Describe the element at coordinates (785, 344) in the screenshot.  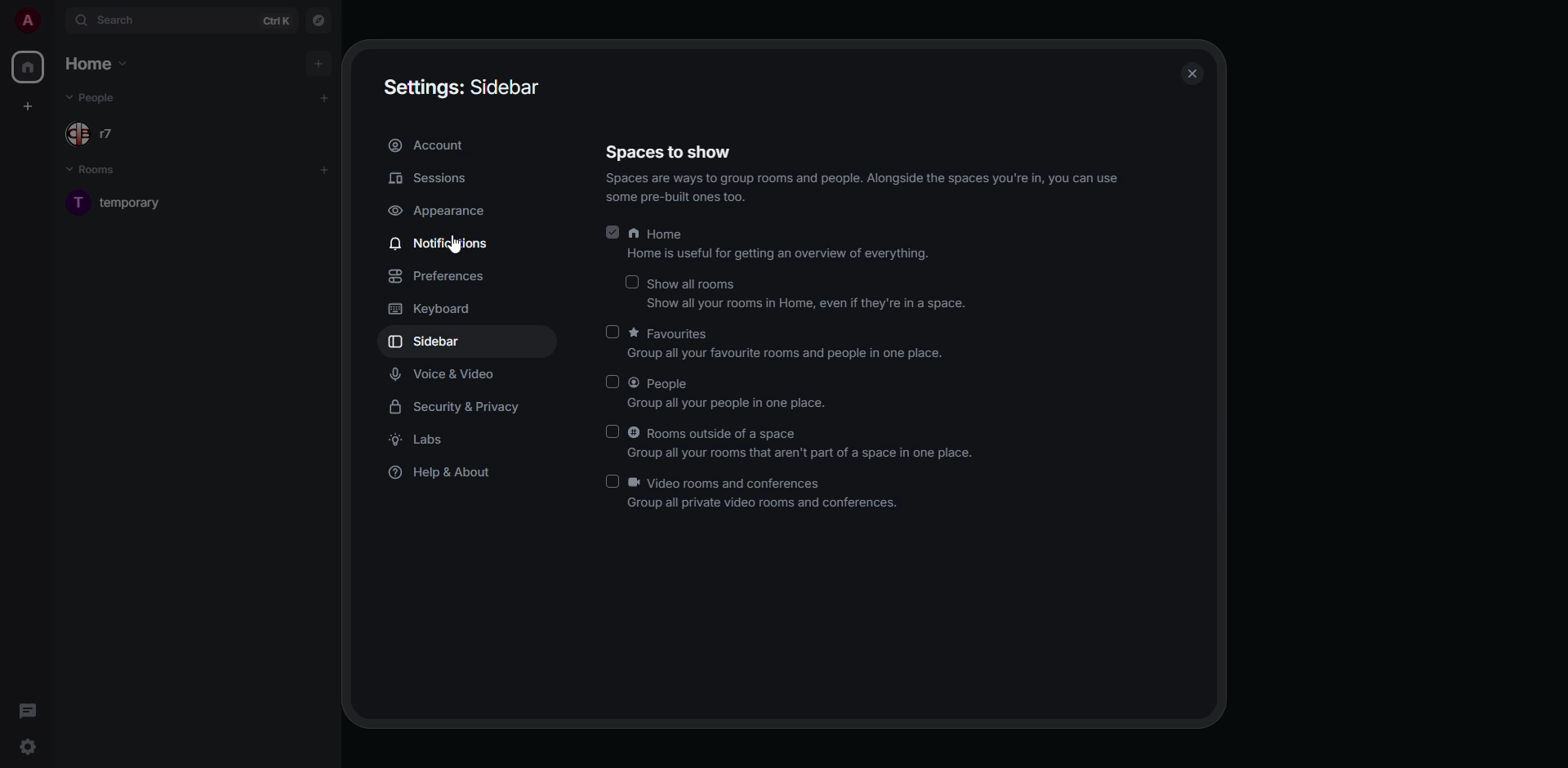
I see `favorites` at that location.